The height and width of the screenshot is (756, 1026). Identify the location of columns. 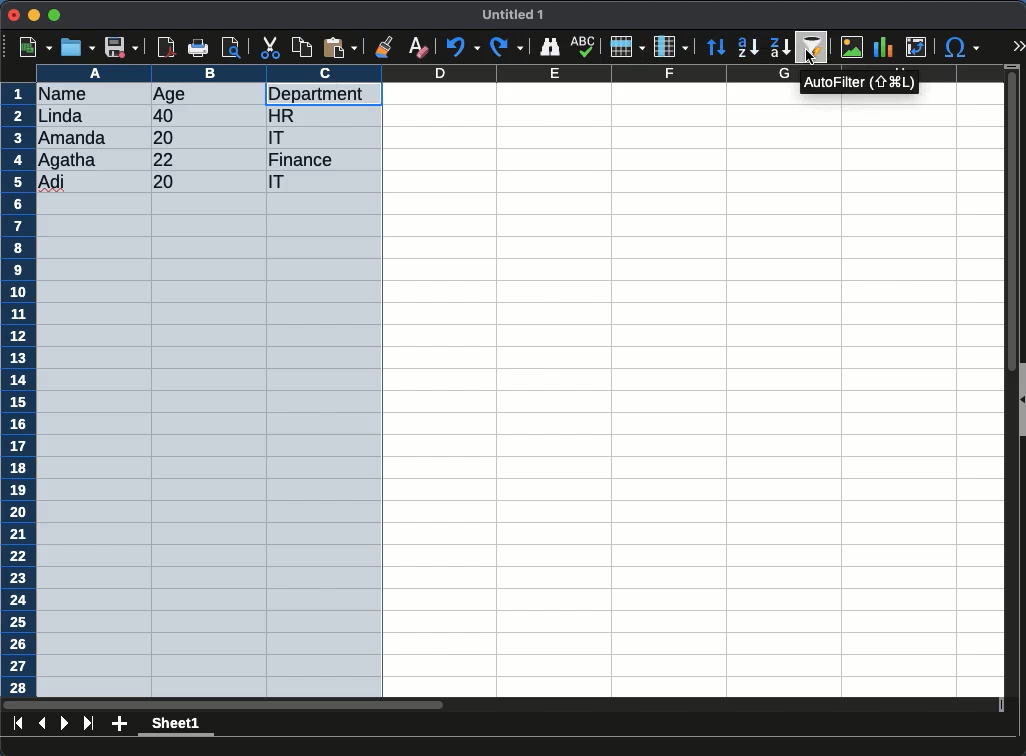
(671, 45).